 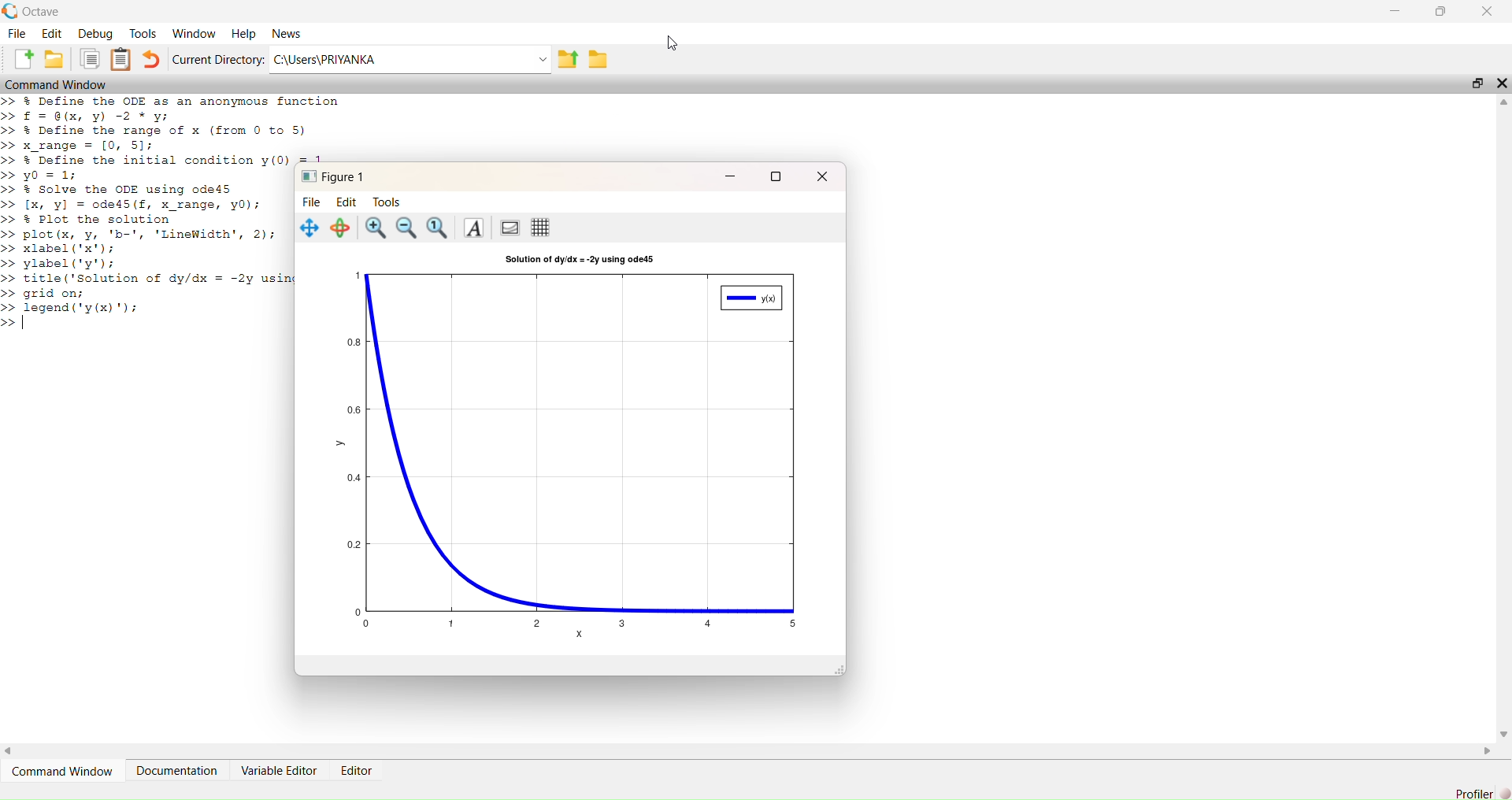 I want to click on Insert text, so click(x=472, y=227).